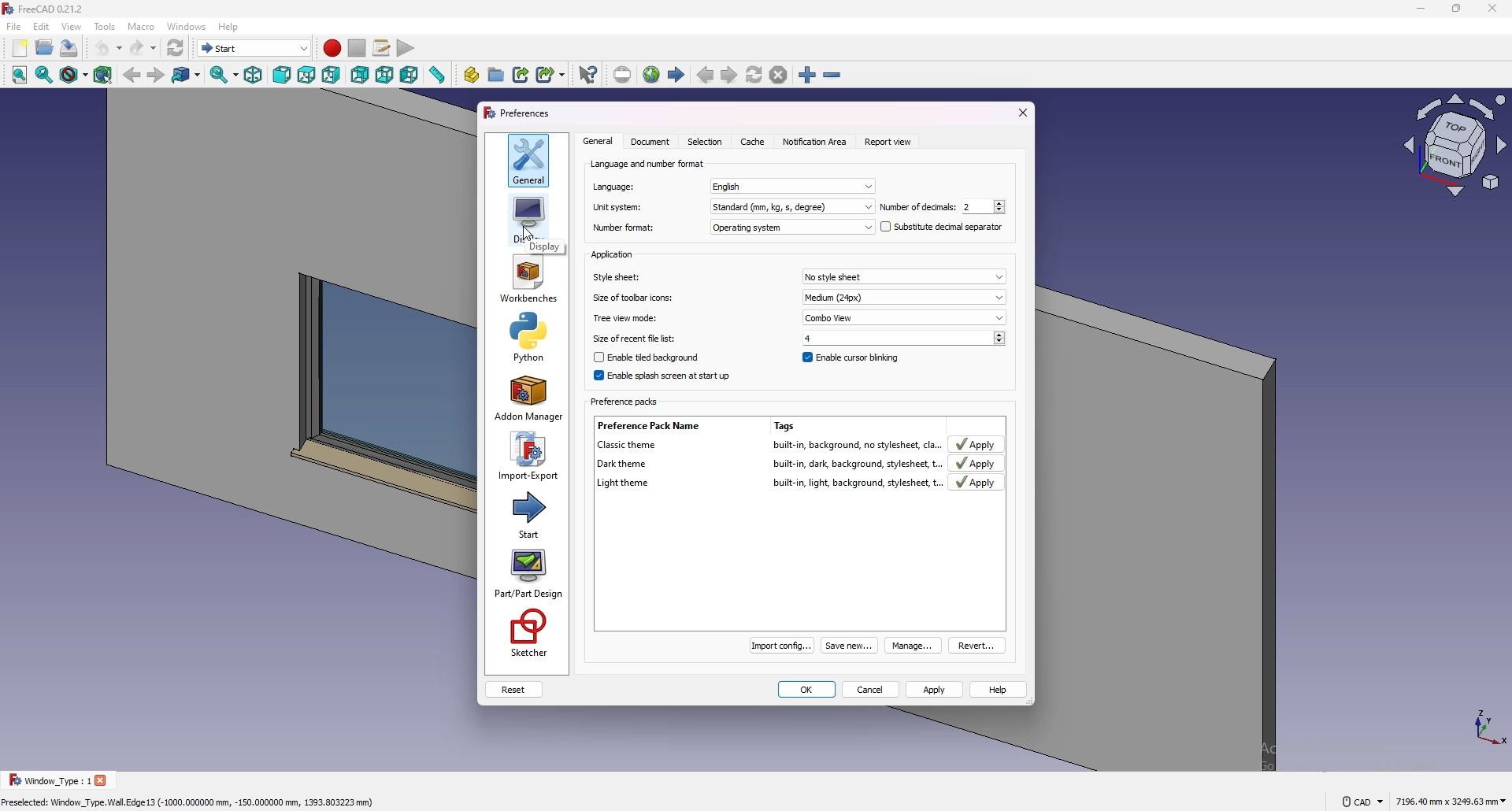  Describe the element at coordinates (791, 227) in the screenshot. I see `Operating system ` at that location.